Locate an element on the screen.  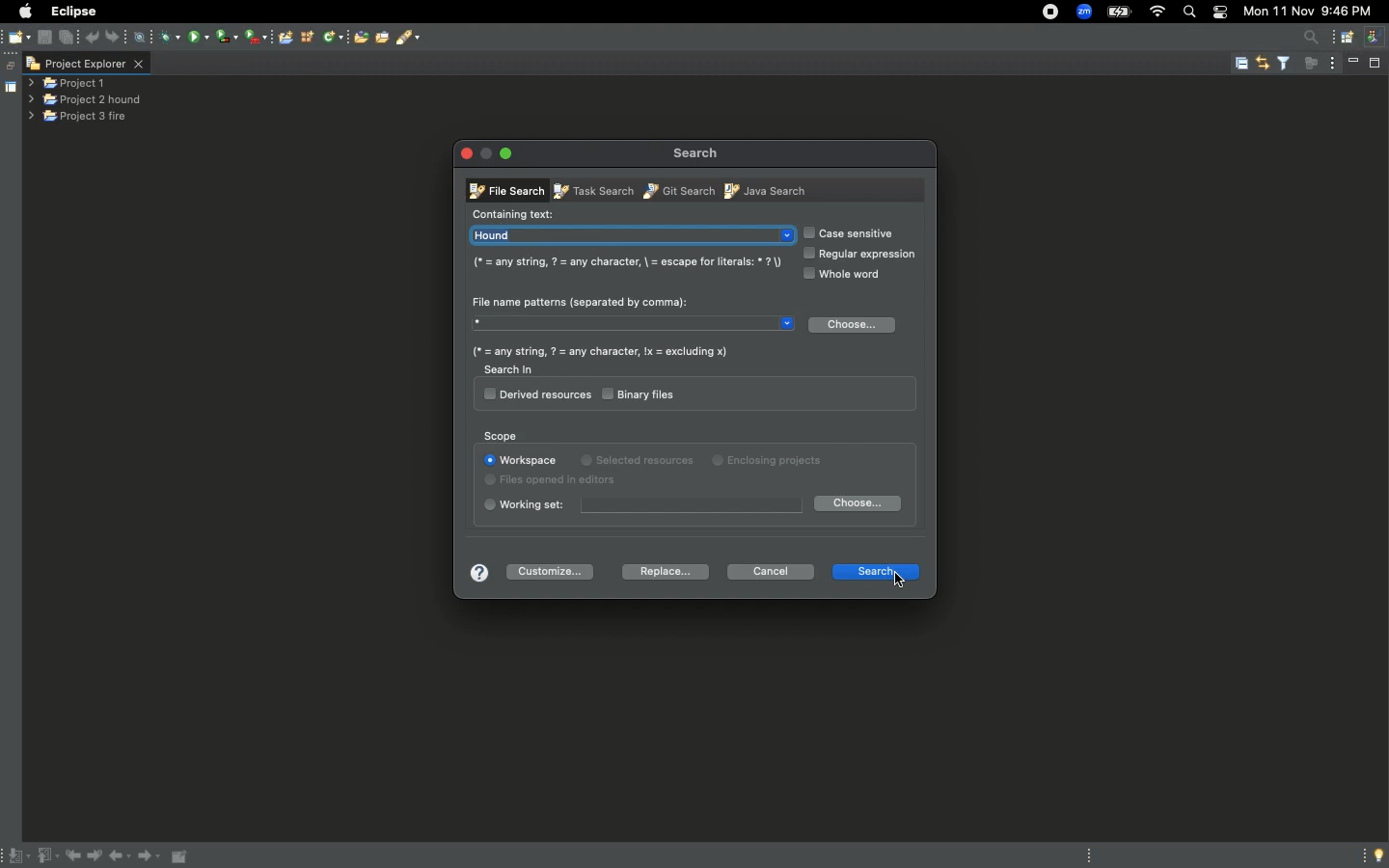
Hound is located at coordinates (631, 235).